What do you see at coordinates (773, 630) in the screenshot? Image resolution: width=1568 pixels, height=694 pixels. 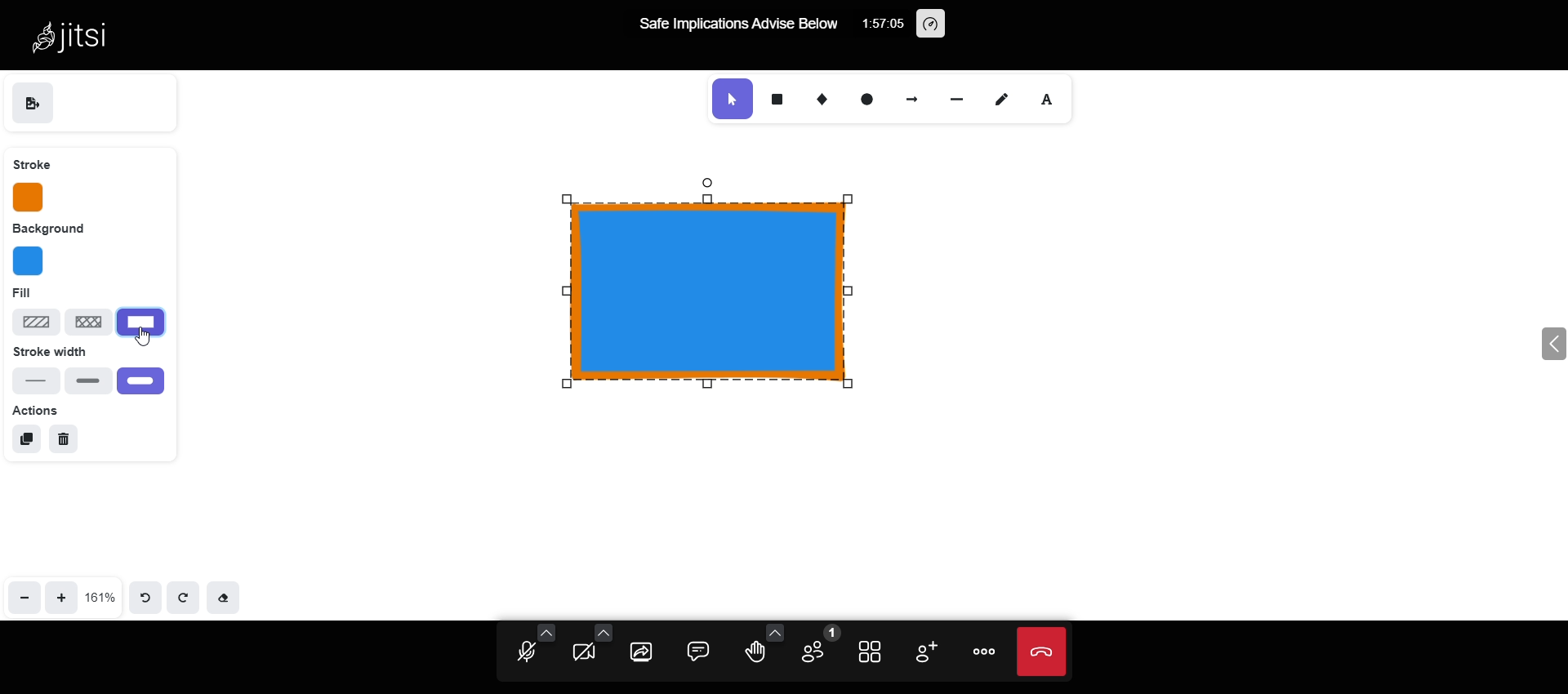 I see `more reactions` at bounding box center [773, 630].